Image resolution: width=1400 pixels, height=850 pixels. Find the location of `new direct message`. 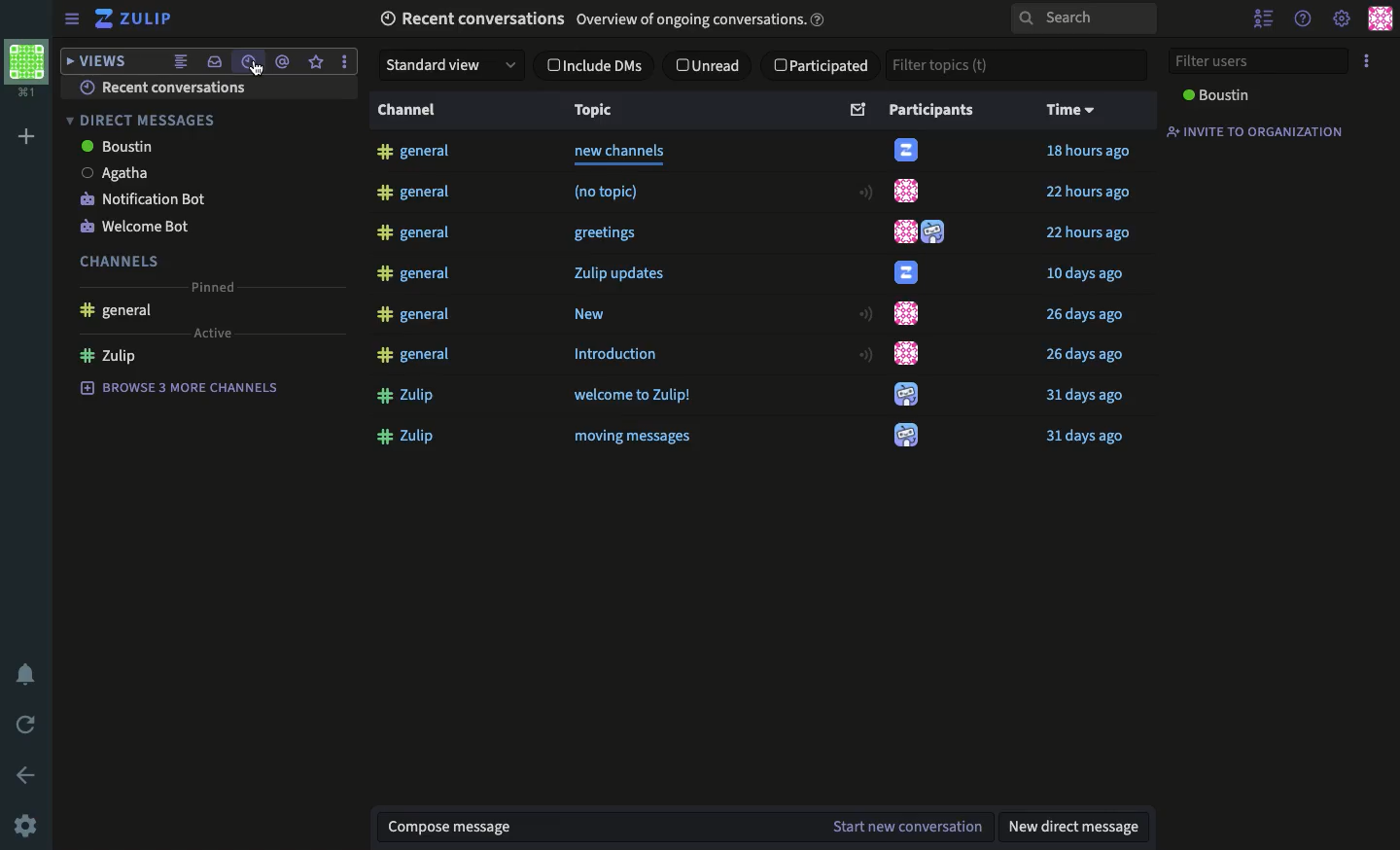

new direct message is located at coordinates (1072, 827).